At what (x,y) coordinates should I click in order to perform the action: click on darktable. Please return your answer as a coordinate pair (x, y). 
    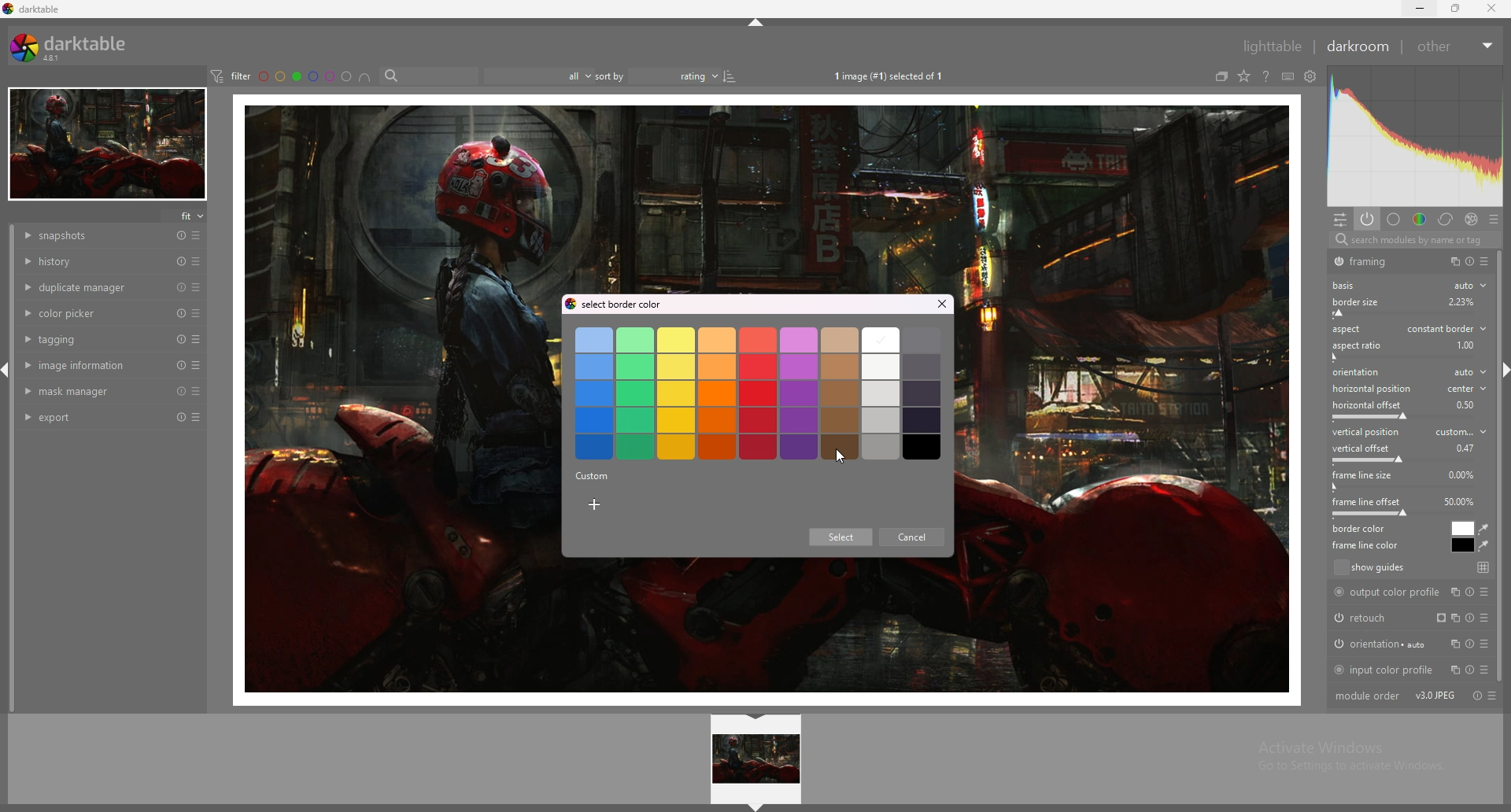
    Looking at the image, I should click on (75, 46).